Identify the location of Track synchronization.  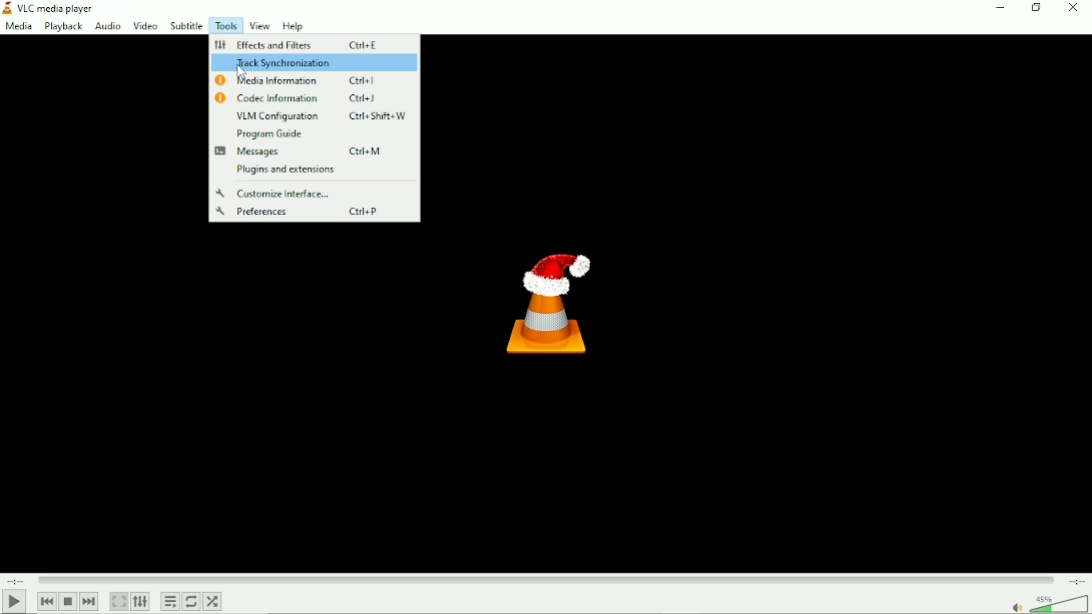
(315, 63).